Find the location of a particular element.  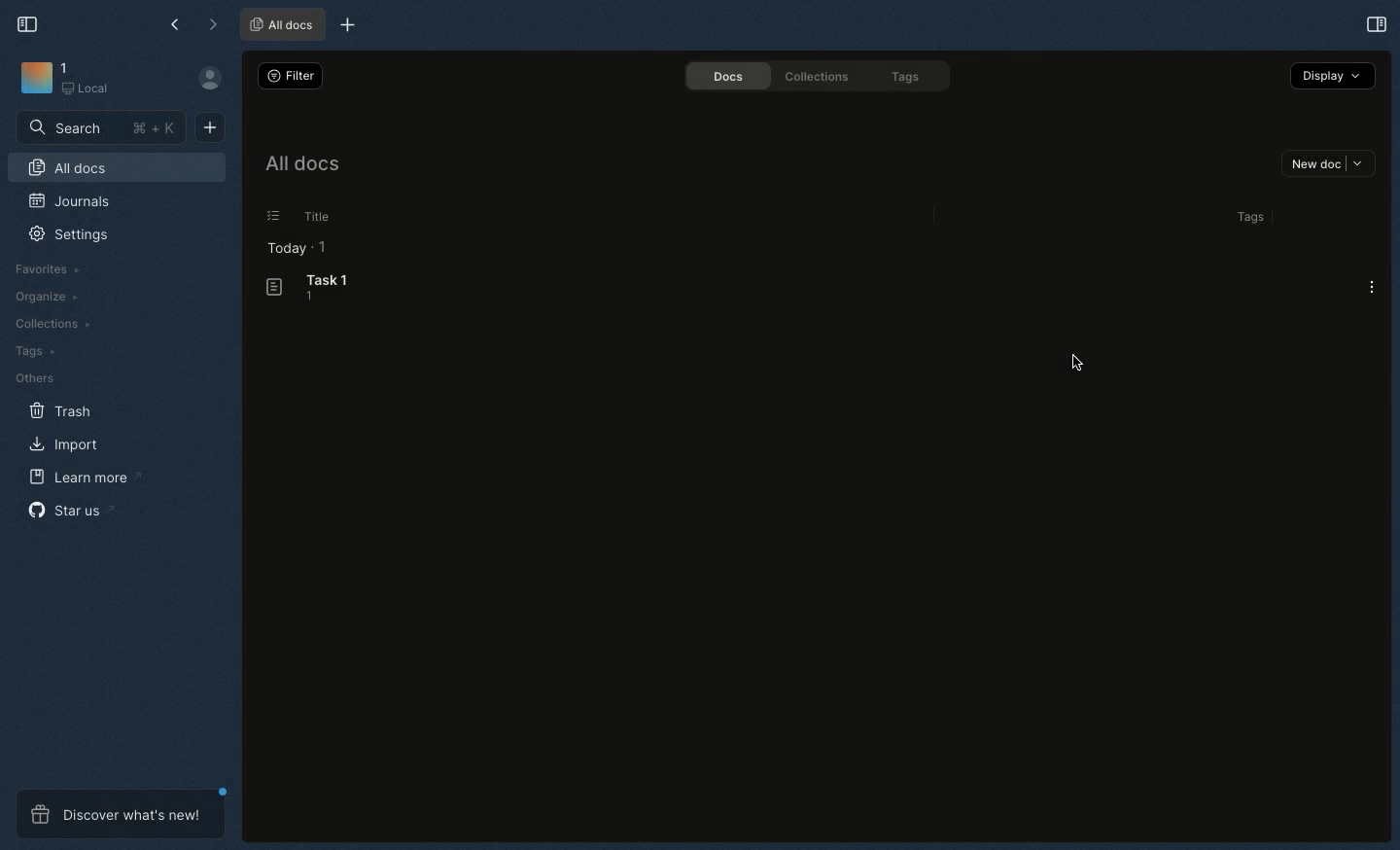

Title is located at coordinates (325, 216).